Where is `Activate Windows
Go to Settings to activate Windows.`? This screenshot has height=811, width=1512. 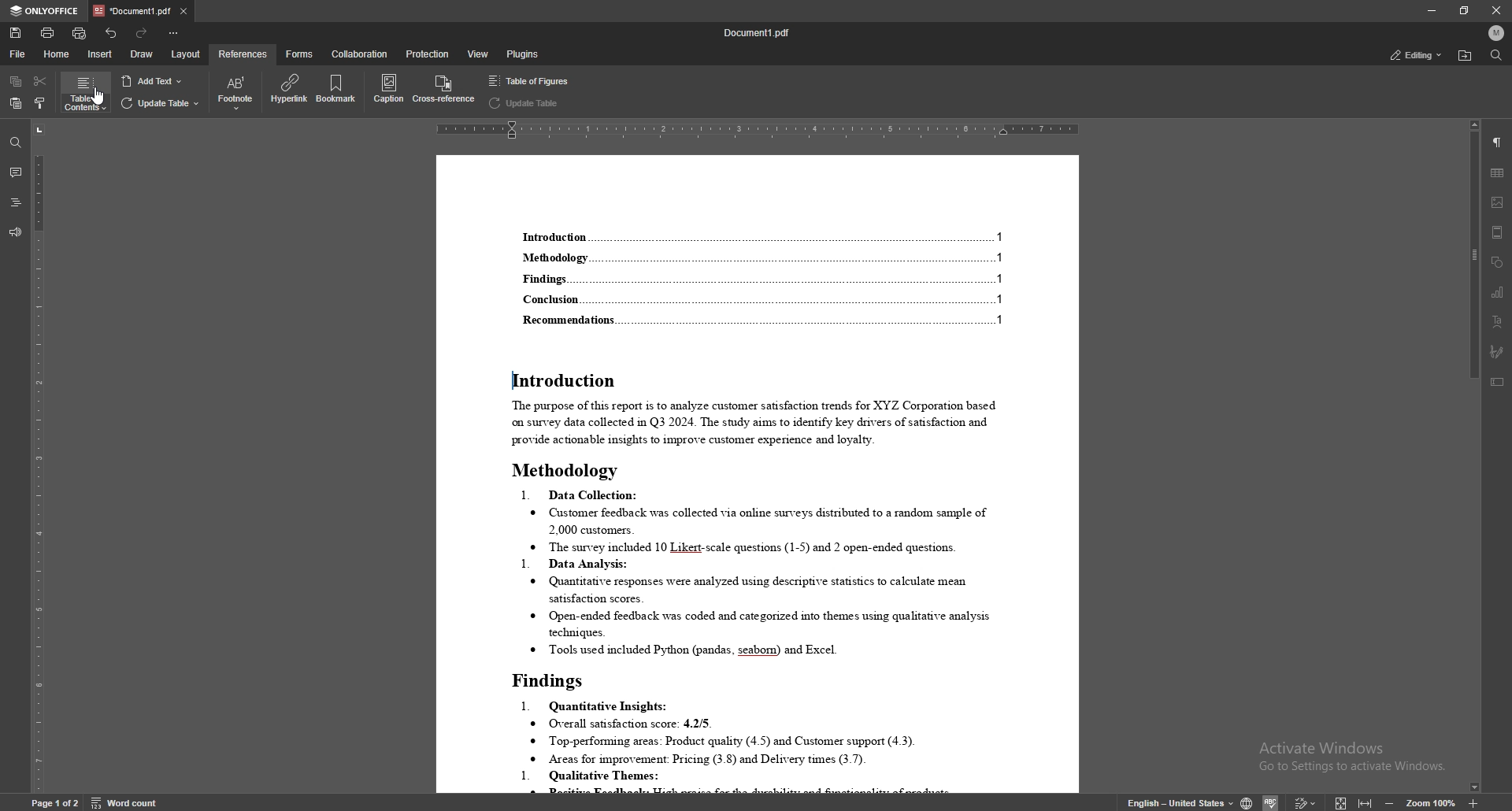
Activate Windows
Go to Settings to activate Windows. is located at coordinates (1350, 757).